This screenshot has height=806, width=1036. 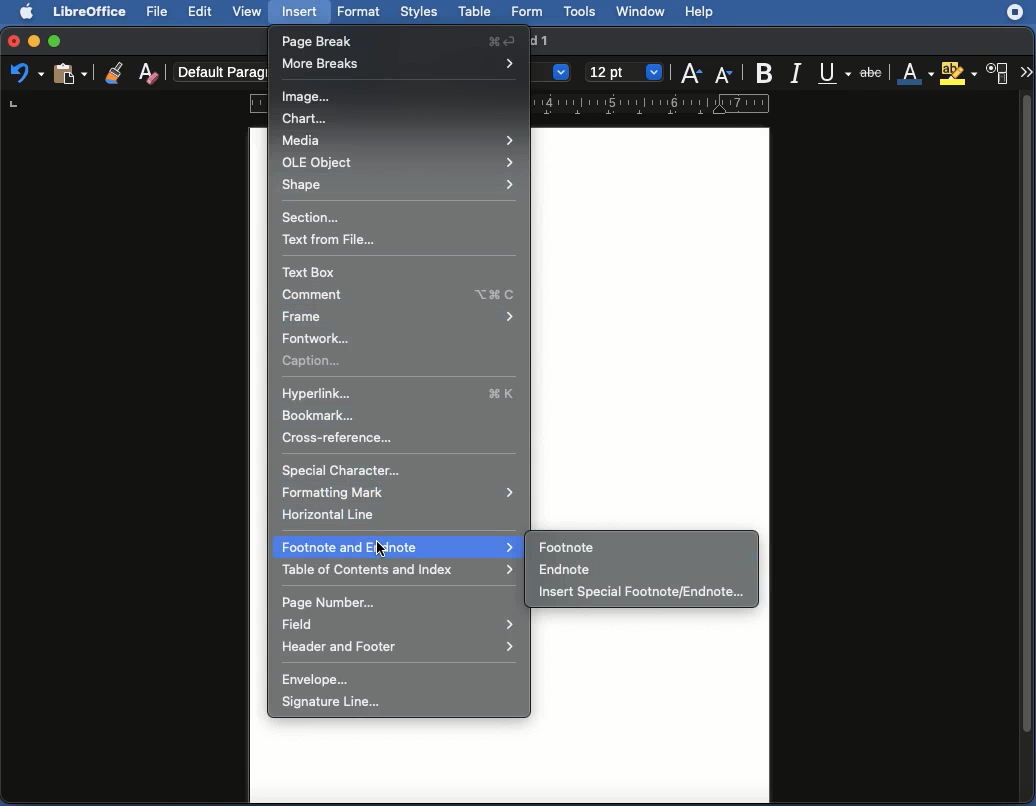 I want to click on Header and footer, so click(x=398, y=647).